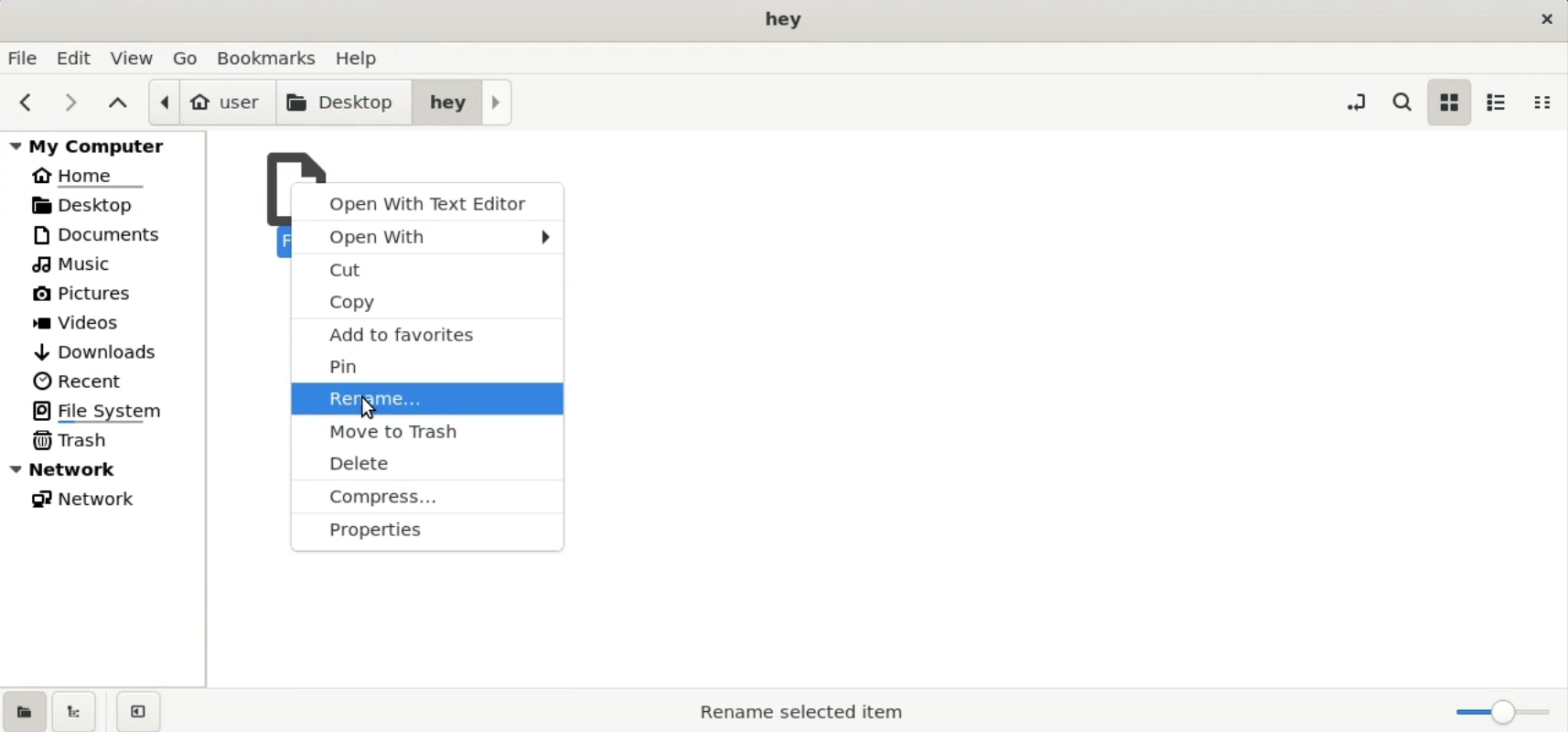 This screenshot has height=732, width=1568. Describe the element at coordinates (77, 58) in the screenshot. I see `edit` at that location.